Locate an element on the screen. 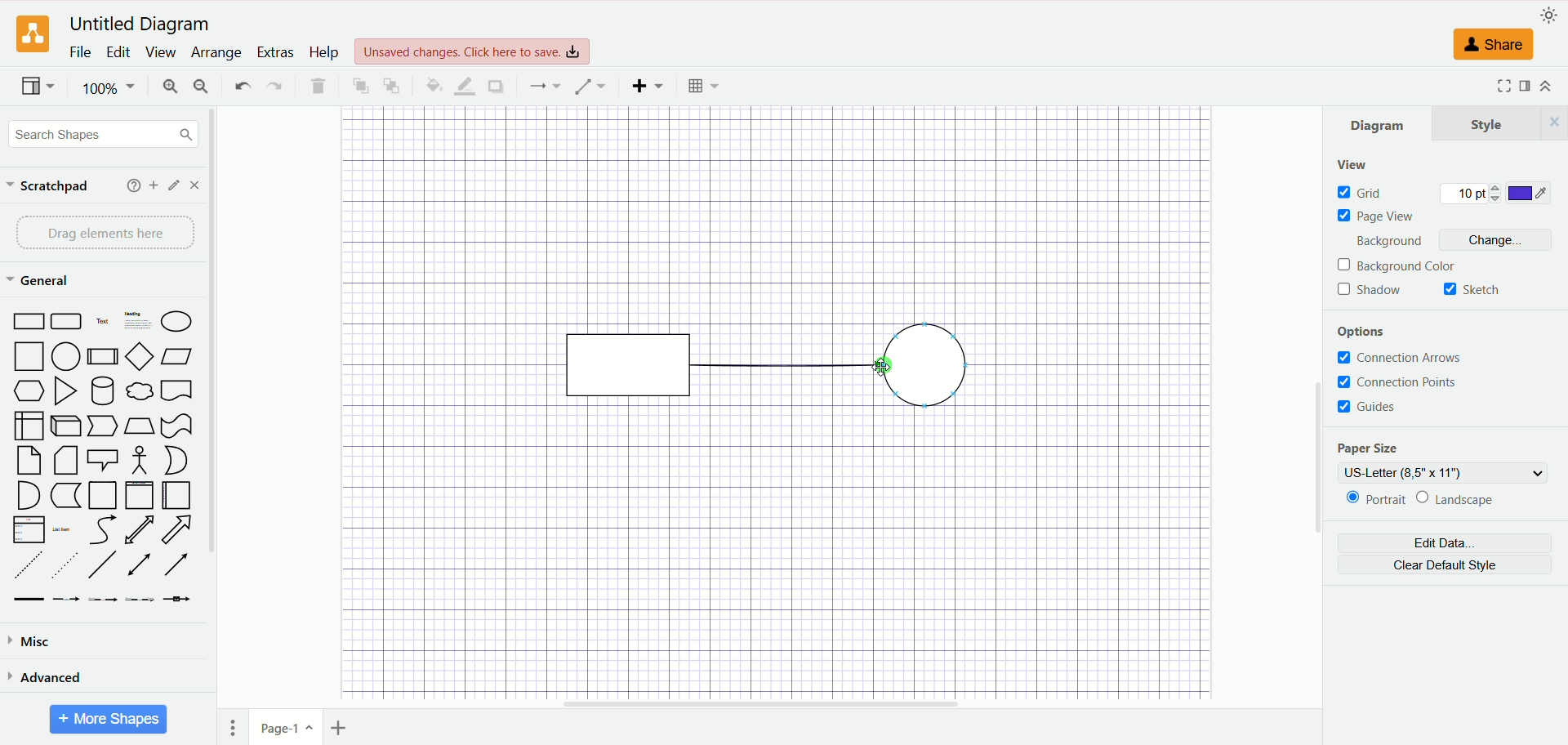  Speech Bubble is located at coordinates (104, 461).